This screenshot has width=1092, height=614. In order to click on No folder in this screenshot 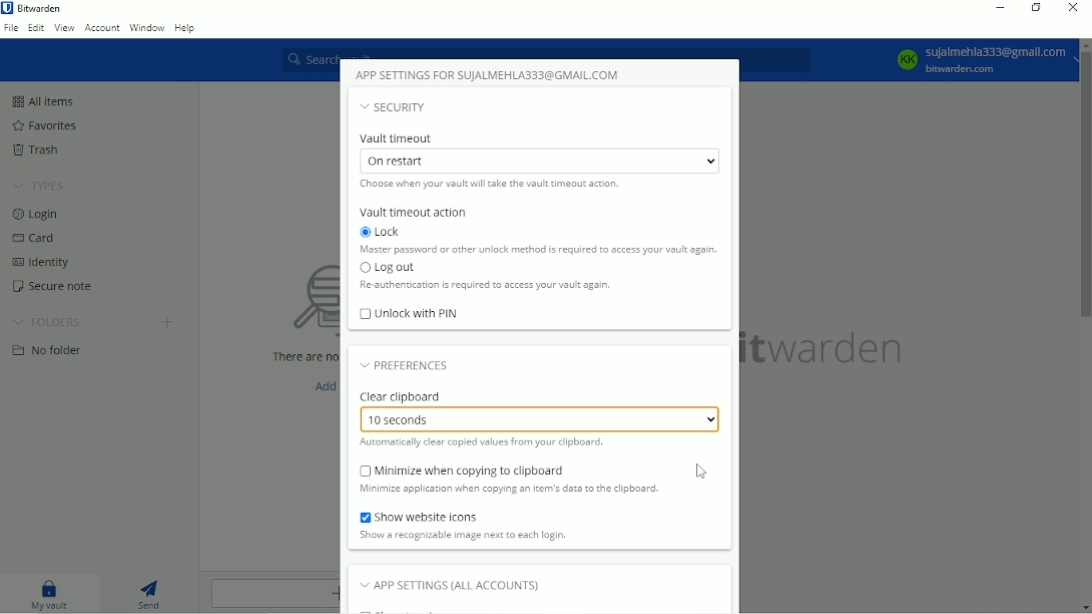, I will do `click(49, 350)`.